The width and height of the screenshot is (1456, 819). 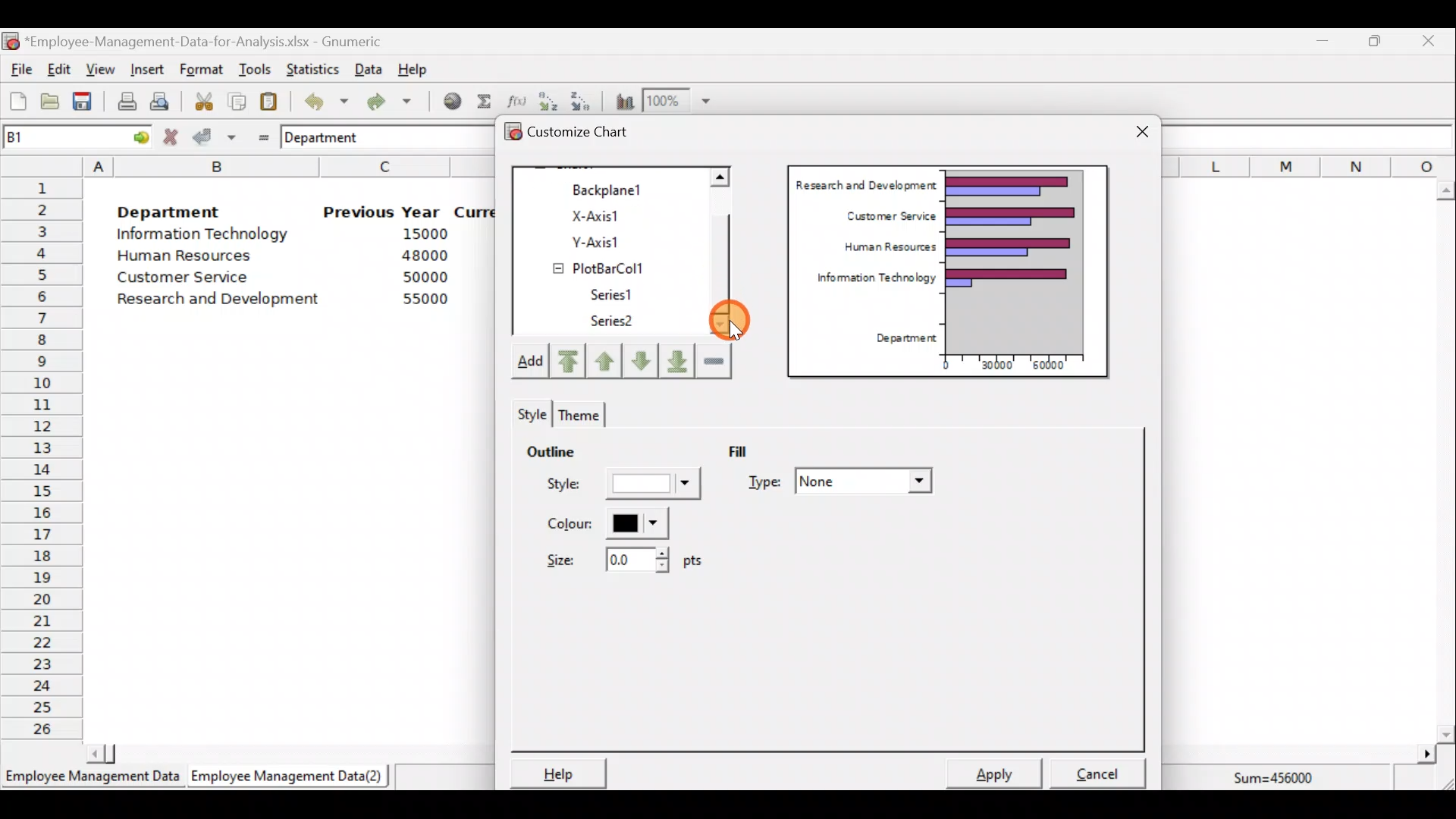 What do you see at coordinates (50, 136) in the screenshot?
I see `Cell name B1` at bounding box center [50, 136].